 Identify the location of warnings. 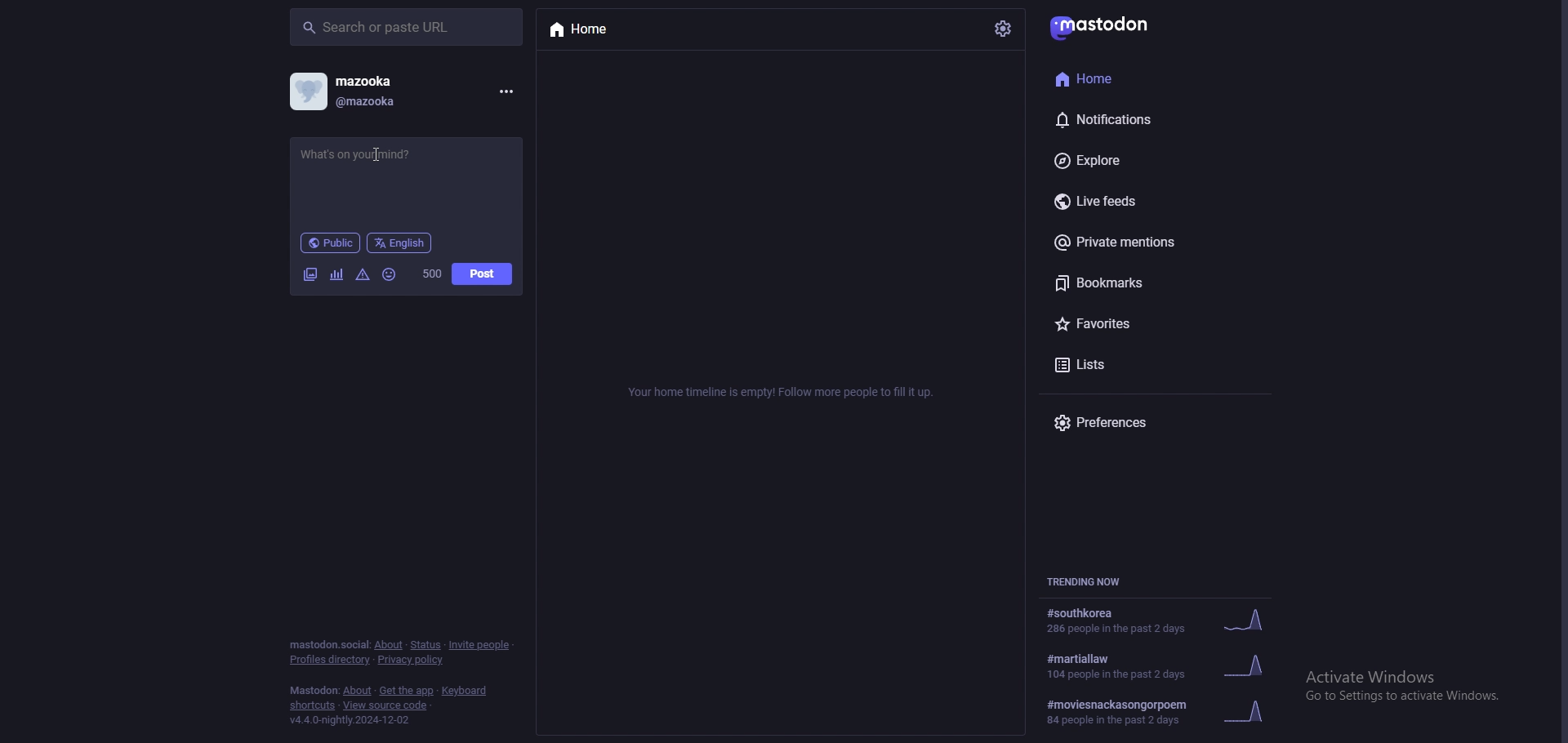
(363, 276).